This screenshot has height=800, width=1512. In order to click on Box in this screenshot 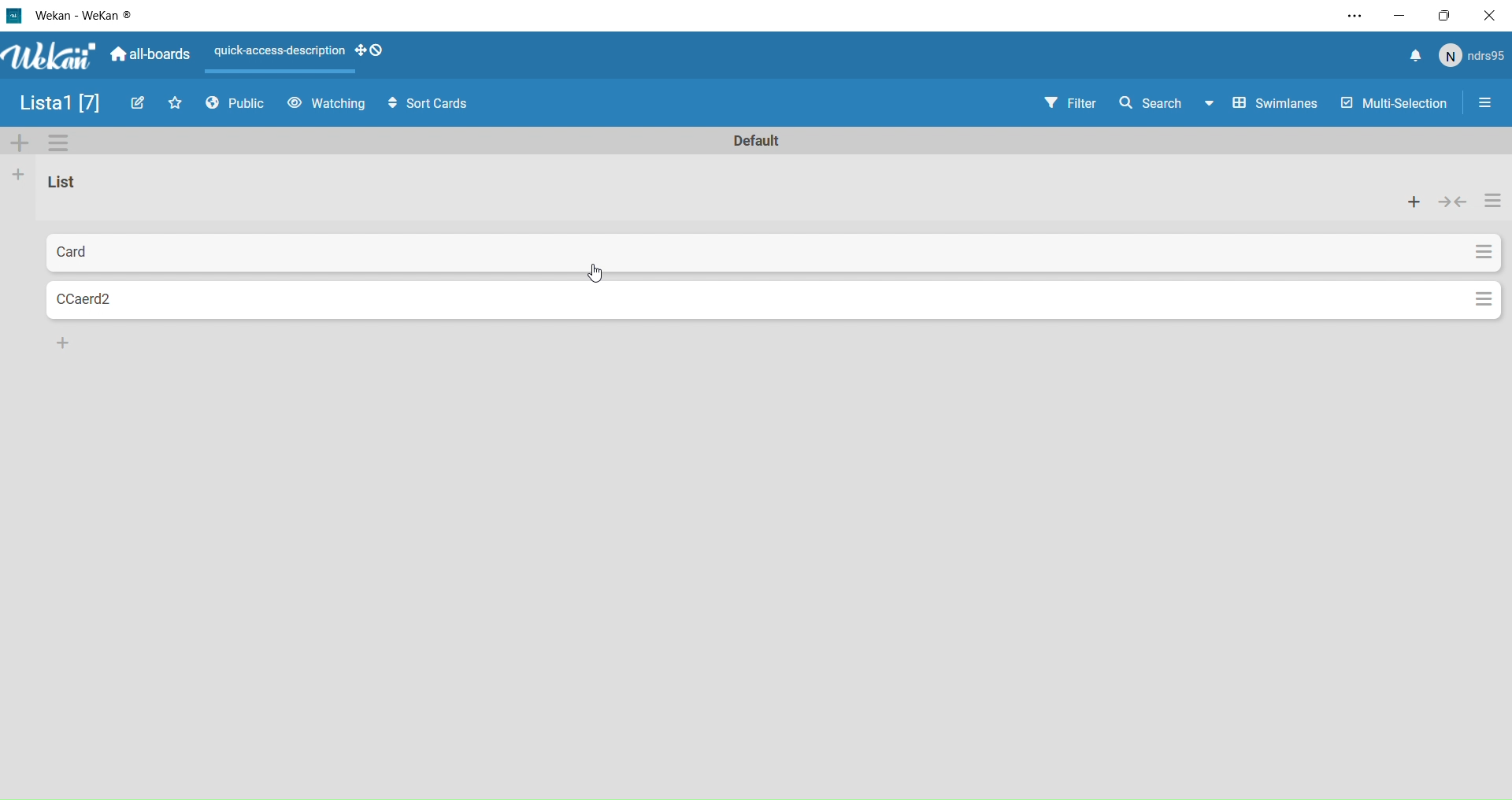, I will do `click(1442, 16)`.